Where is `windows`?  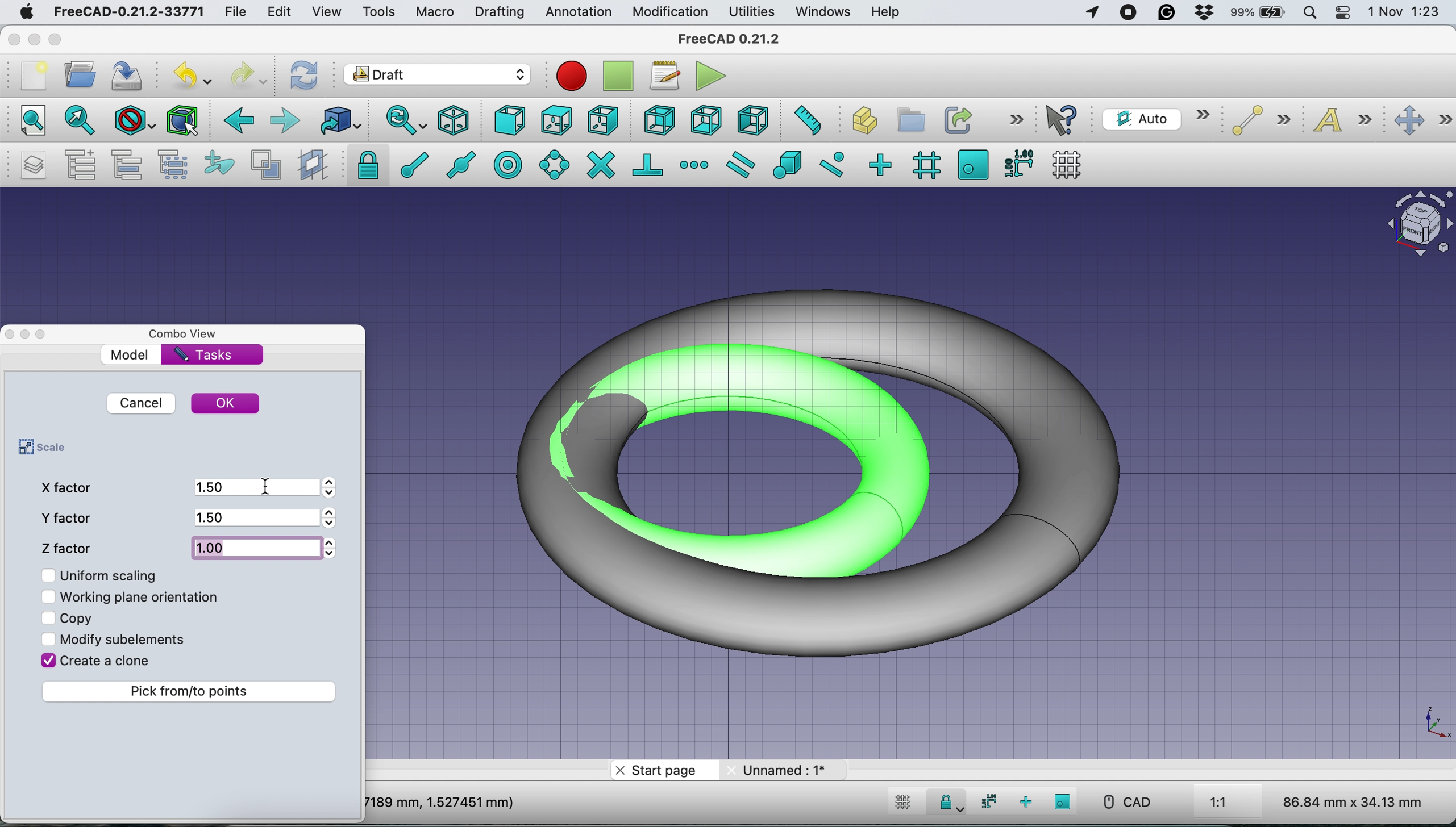 windows is located at coordinates (826, 12).